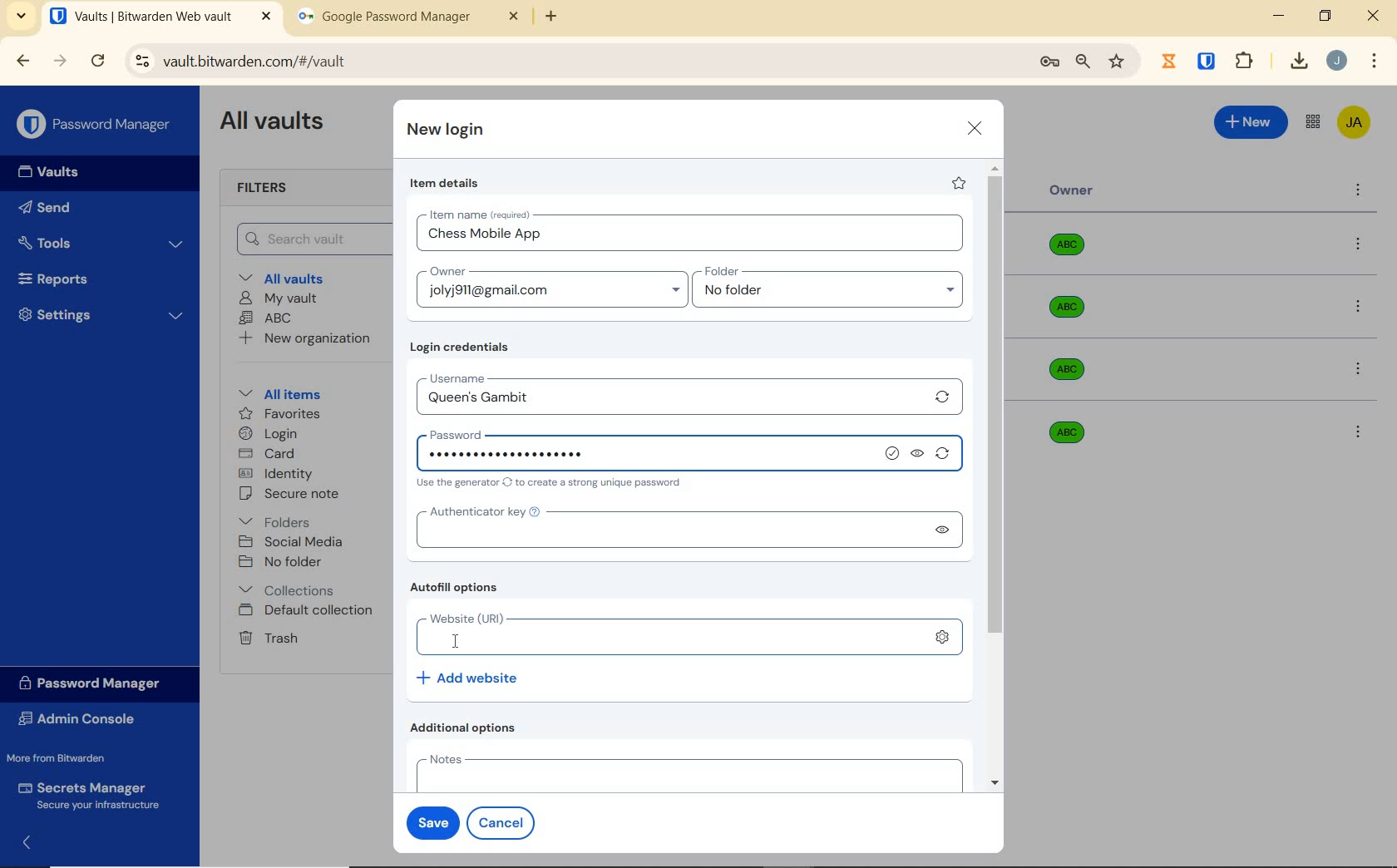 This screenshot has height=868, width=1397. Describe the element at coordinates (1063, 431) in the screenshot. I see `Owner organization` at that location.